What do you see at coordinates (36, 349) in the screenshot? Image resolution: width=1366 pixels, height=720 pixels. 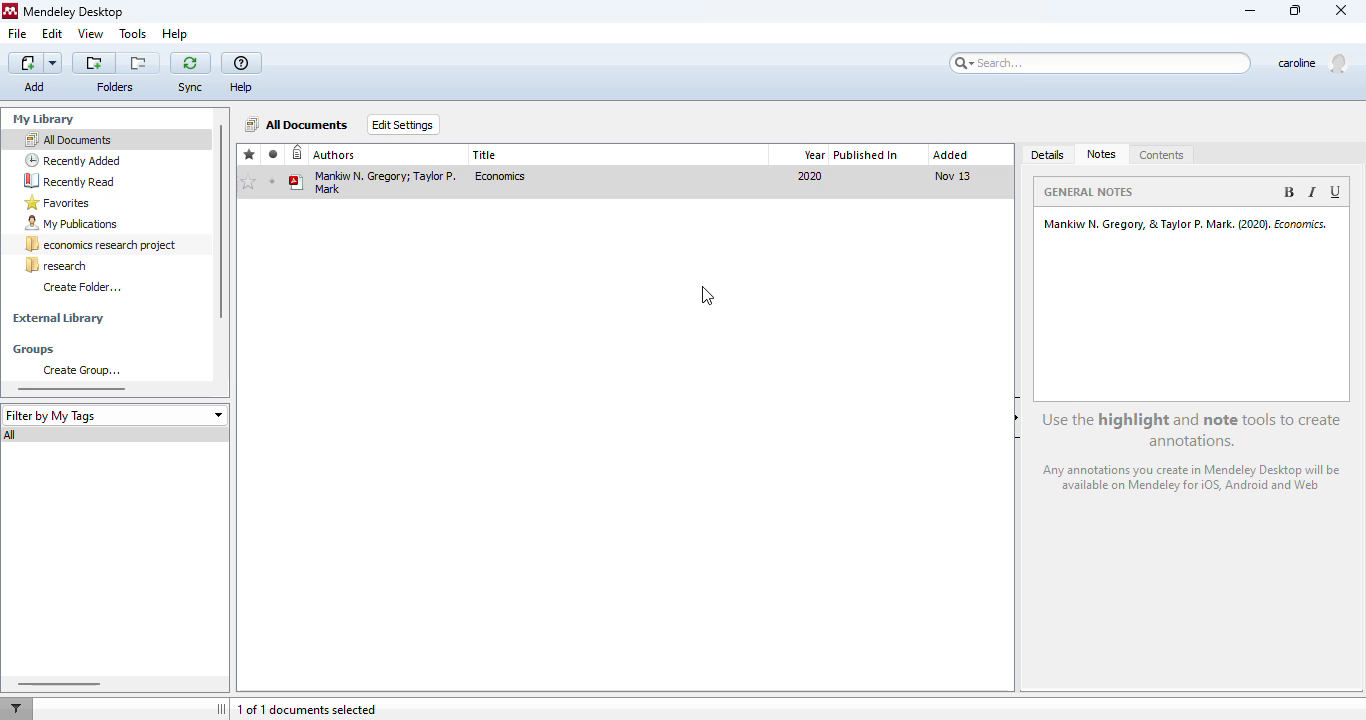 I see `groups` at bounding box center [36, 349].